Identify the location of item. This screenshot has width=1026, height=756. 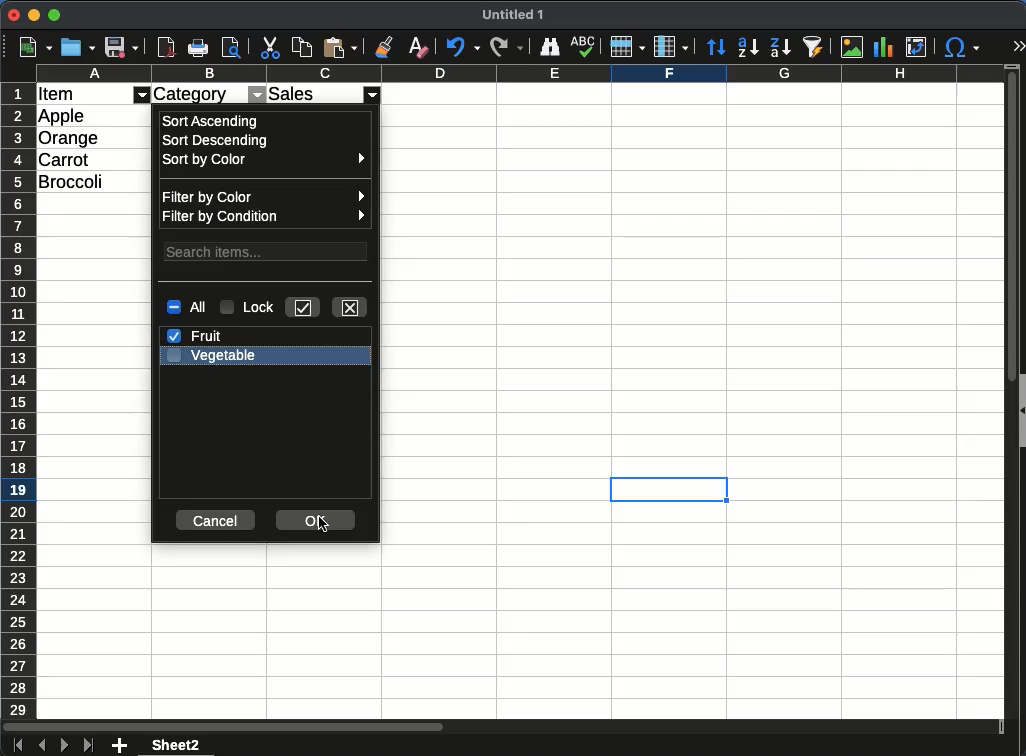
(57, 95).